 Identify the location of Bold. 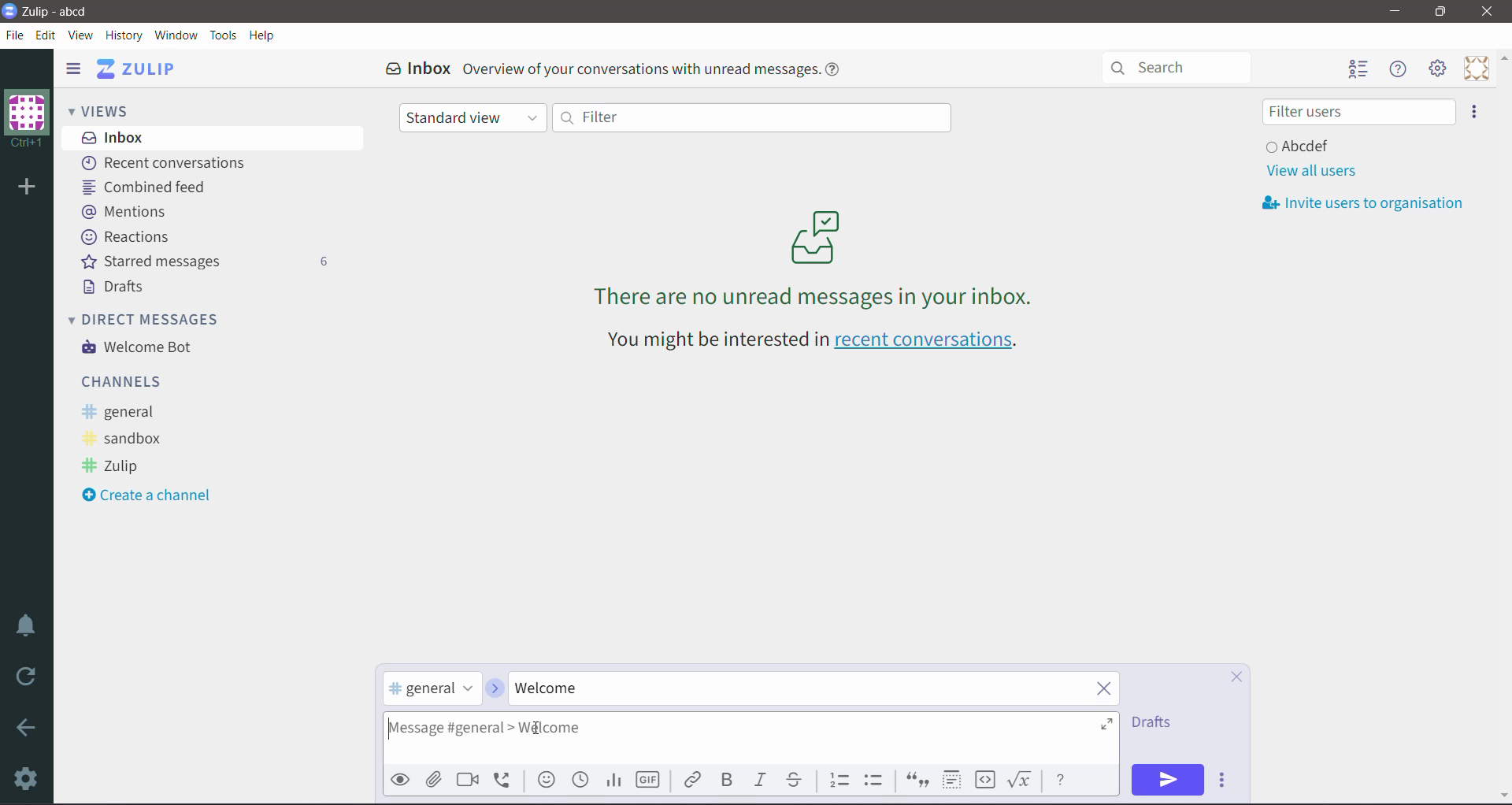
(726, 780).